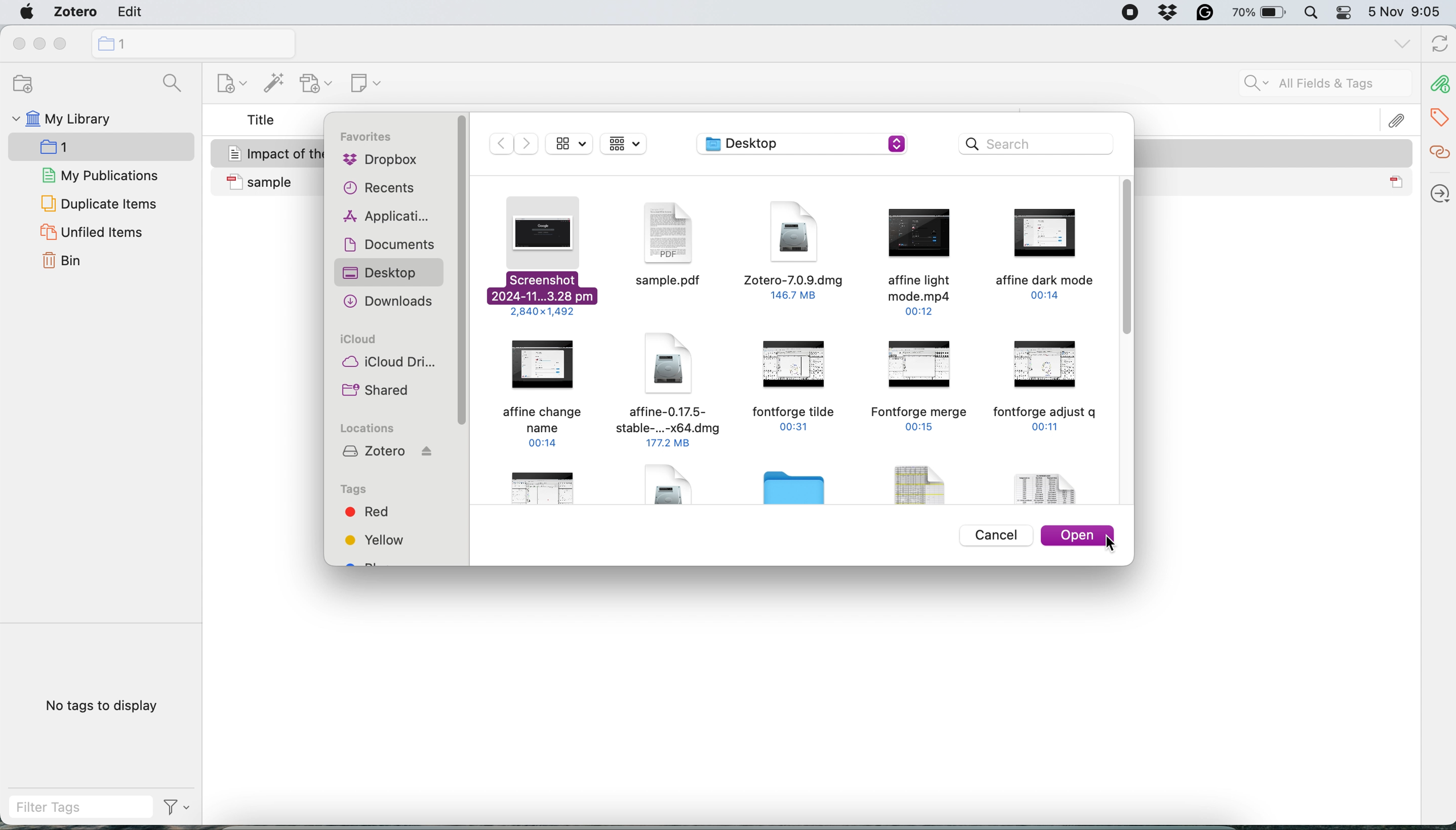  Describe the element at coordinates (71, 14) in the screenshot. I see `zotero` at that location.